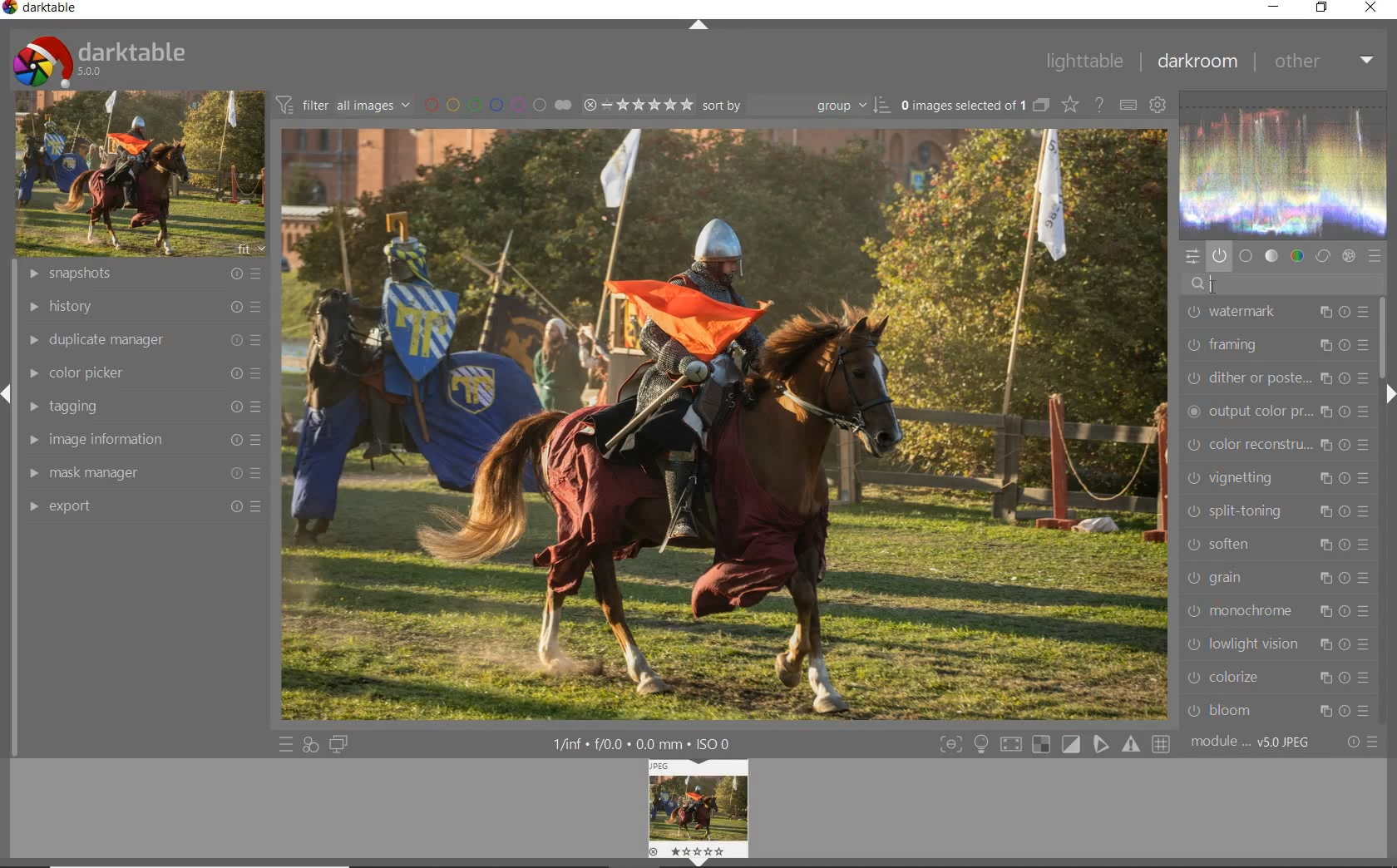 Image resolution: width=1397 pixels, height=868 pixels. I want to click on mask manager, so click(141, 474).